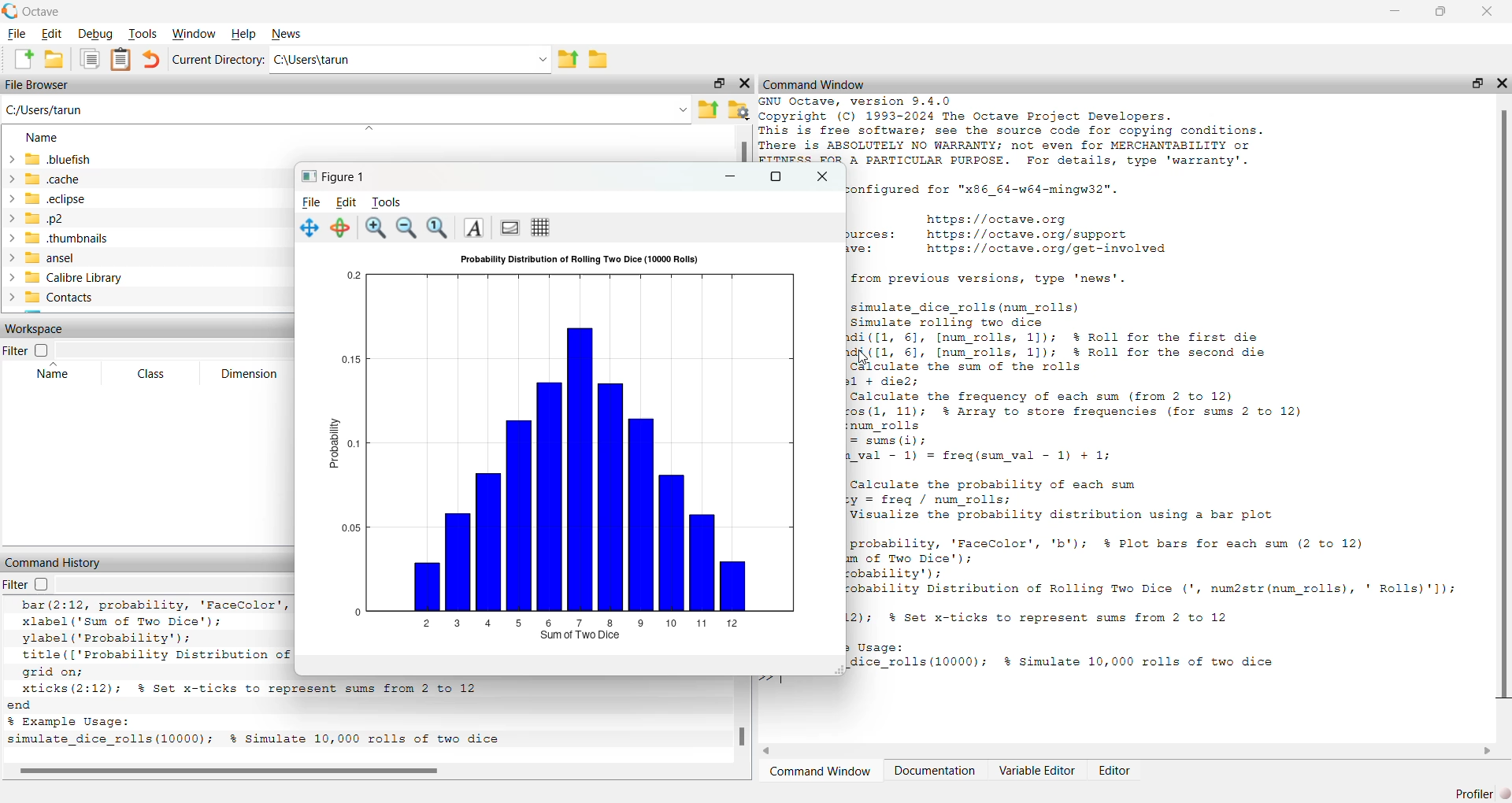 This screenshot has width=1512, height=803. I want to click on text, so click(475, 229).